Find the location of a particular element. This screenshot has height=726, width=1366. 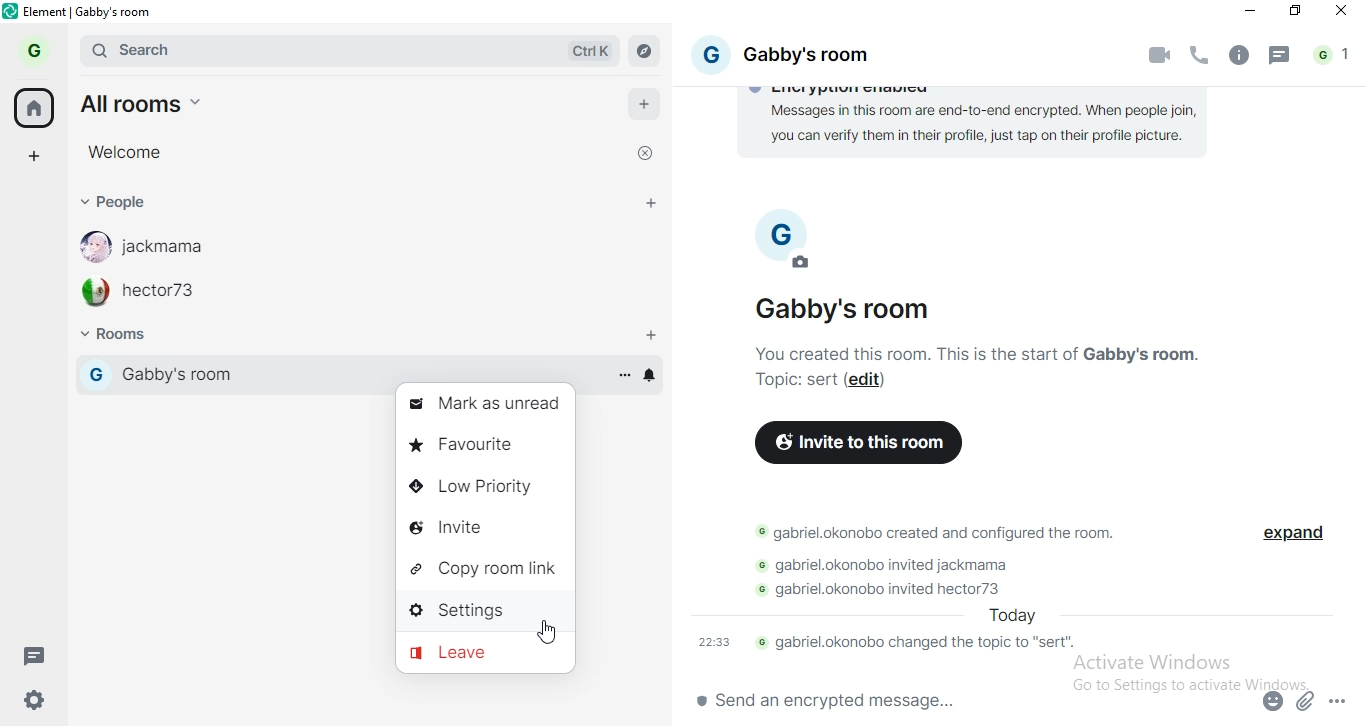

favourite is located at coordinates (487, 445).